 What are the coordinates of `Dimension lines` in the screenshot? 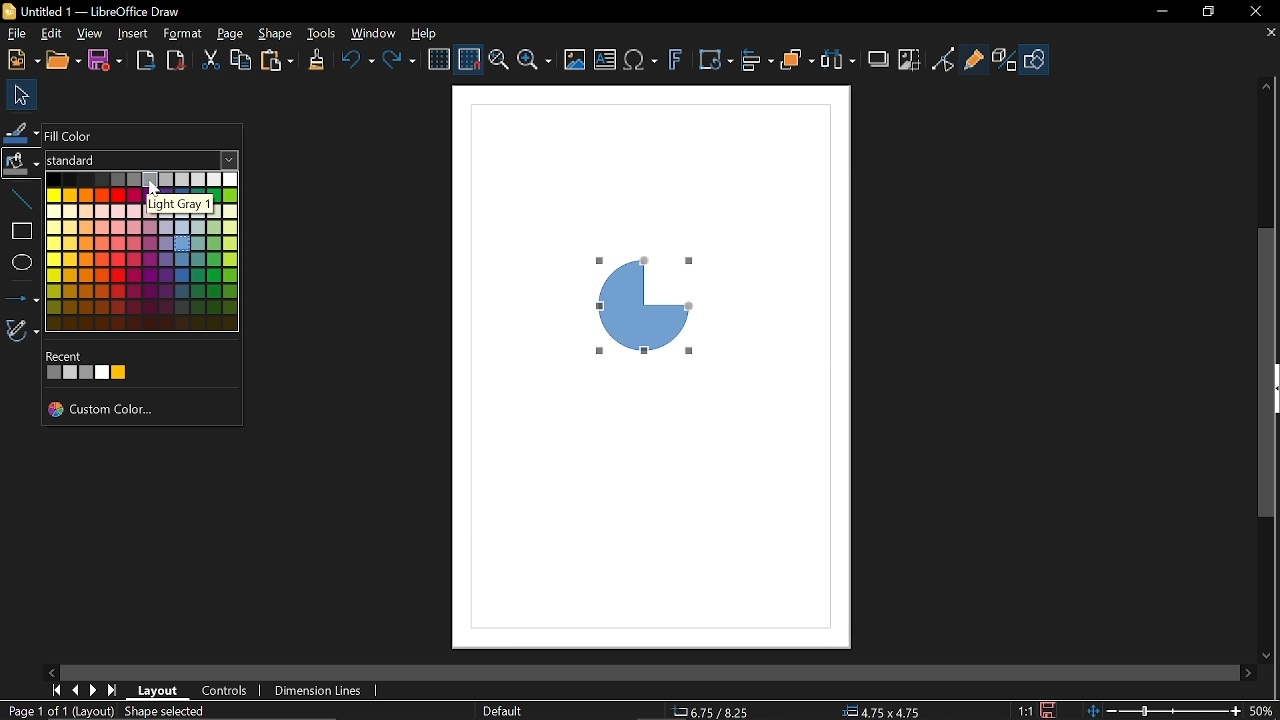 It's located at (318, 691).